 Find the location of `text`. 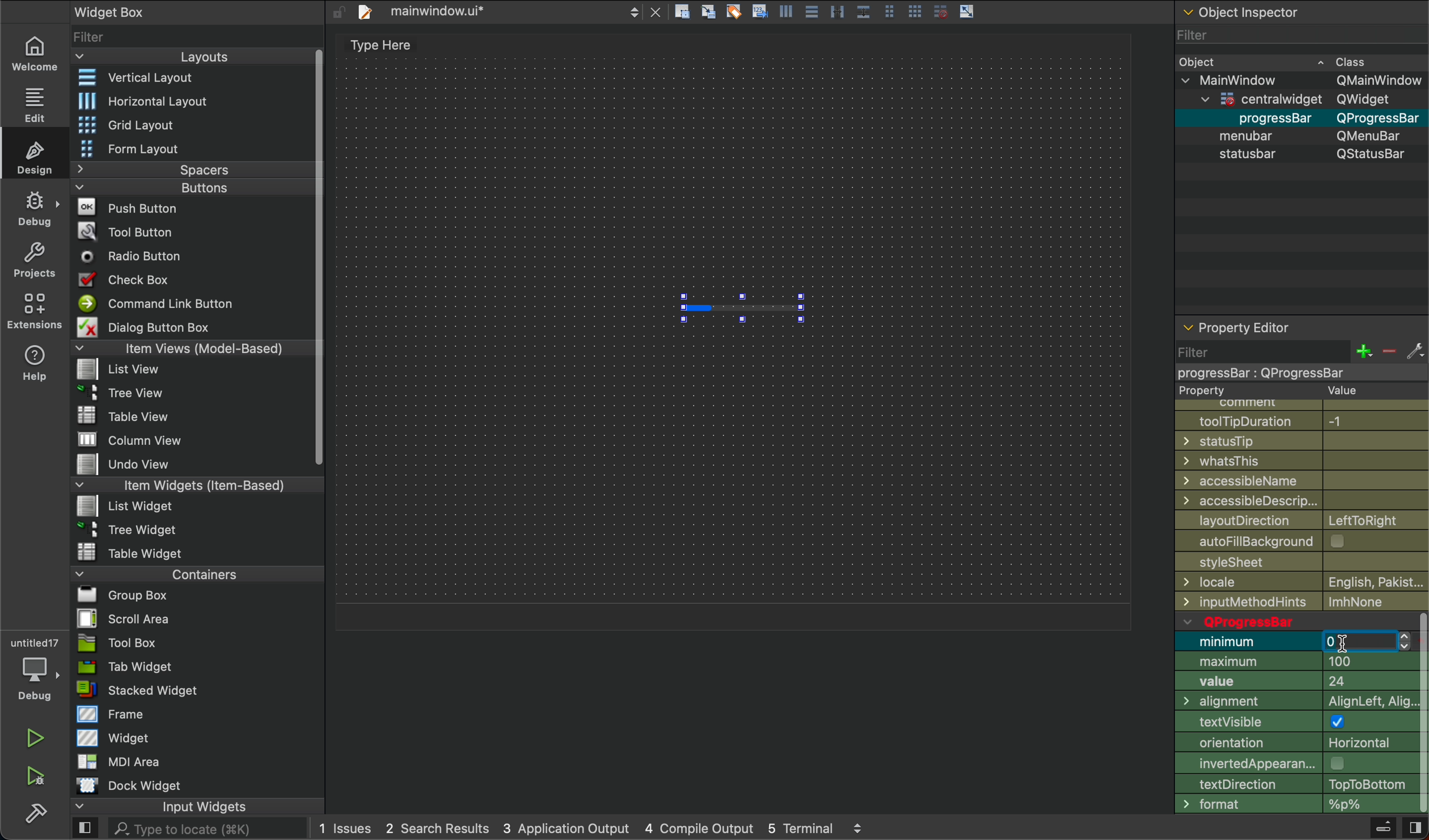

text is located at coordinates (375, 47).